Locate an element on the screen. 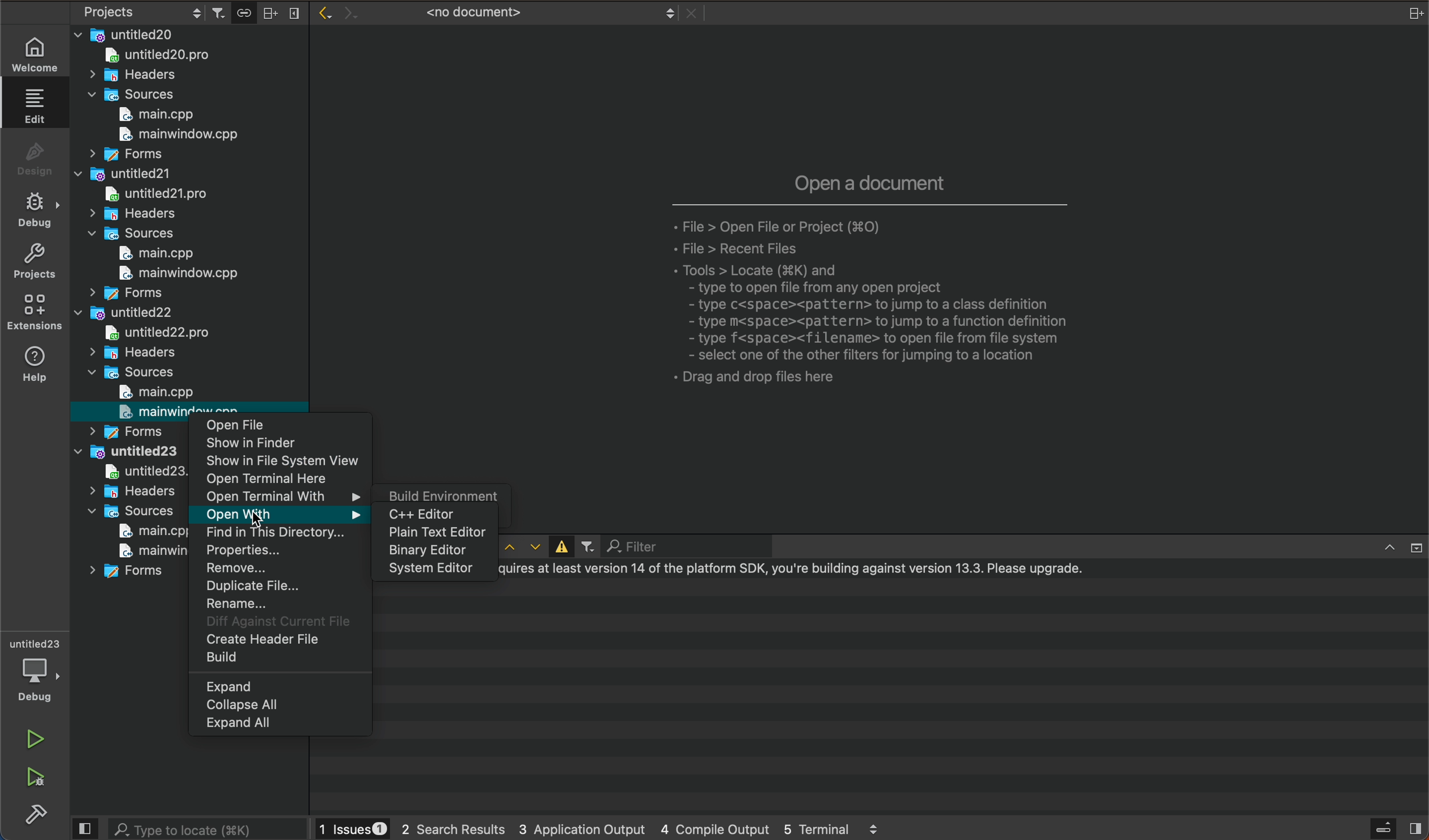 This screenshot has width=1429, height=840. filters is located at coordinates (221, 12).